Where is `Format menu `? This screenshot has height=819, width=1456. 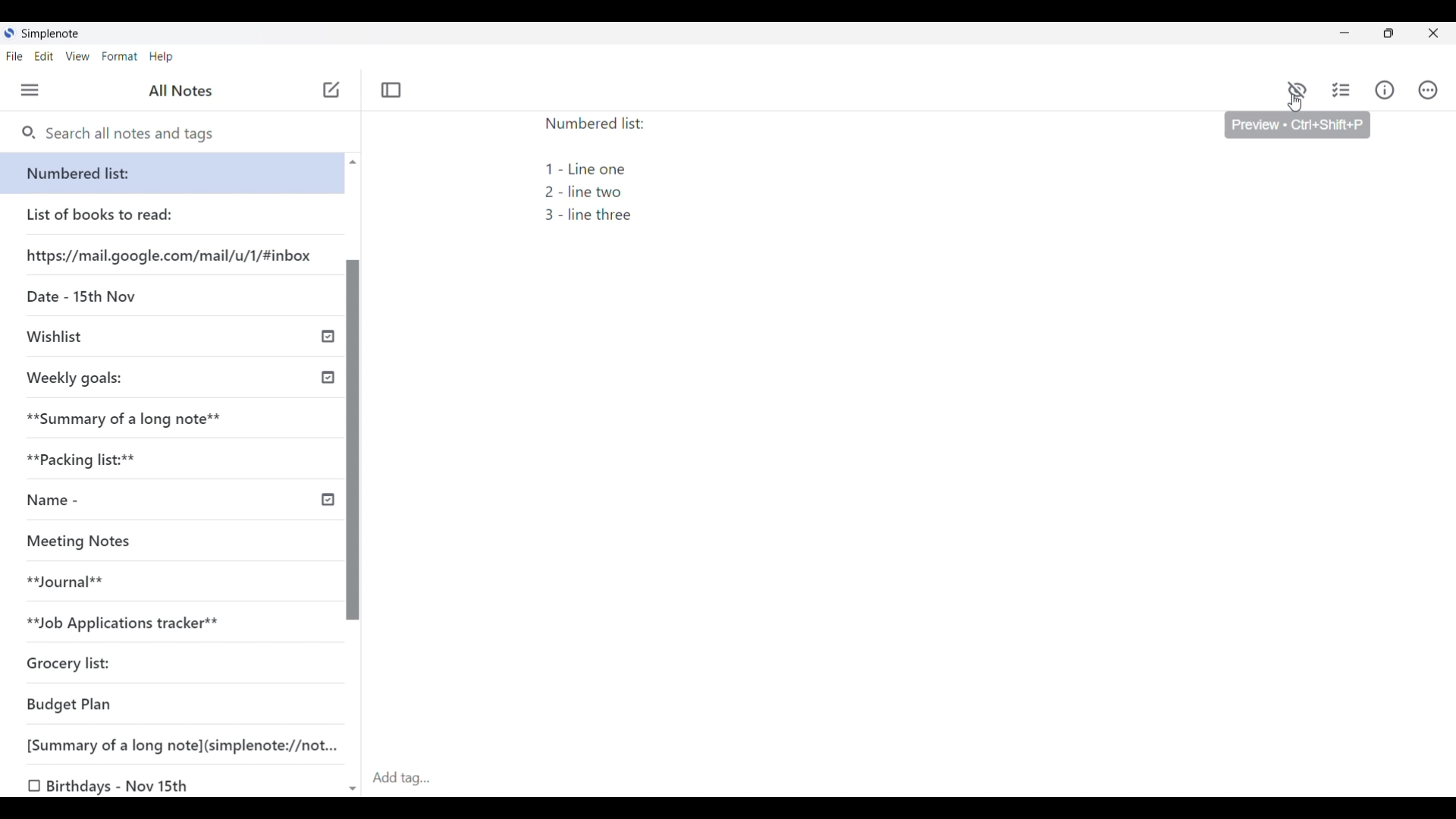 Format menu  is located at coordinates (121, 56).